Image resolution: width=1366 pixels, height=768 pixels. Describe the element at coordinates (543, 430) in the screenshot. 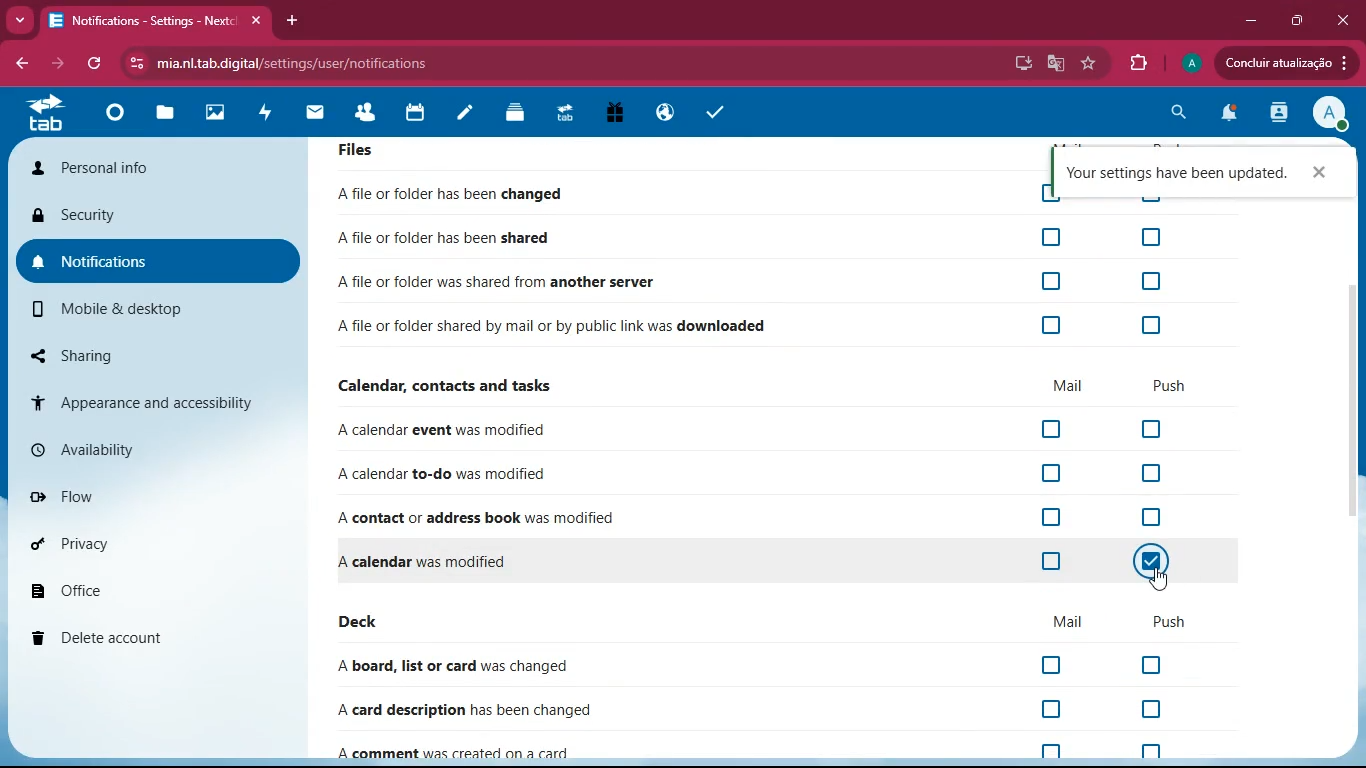

I see `event` at that location.